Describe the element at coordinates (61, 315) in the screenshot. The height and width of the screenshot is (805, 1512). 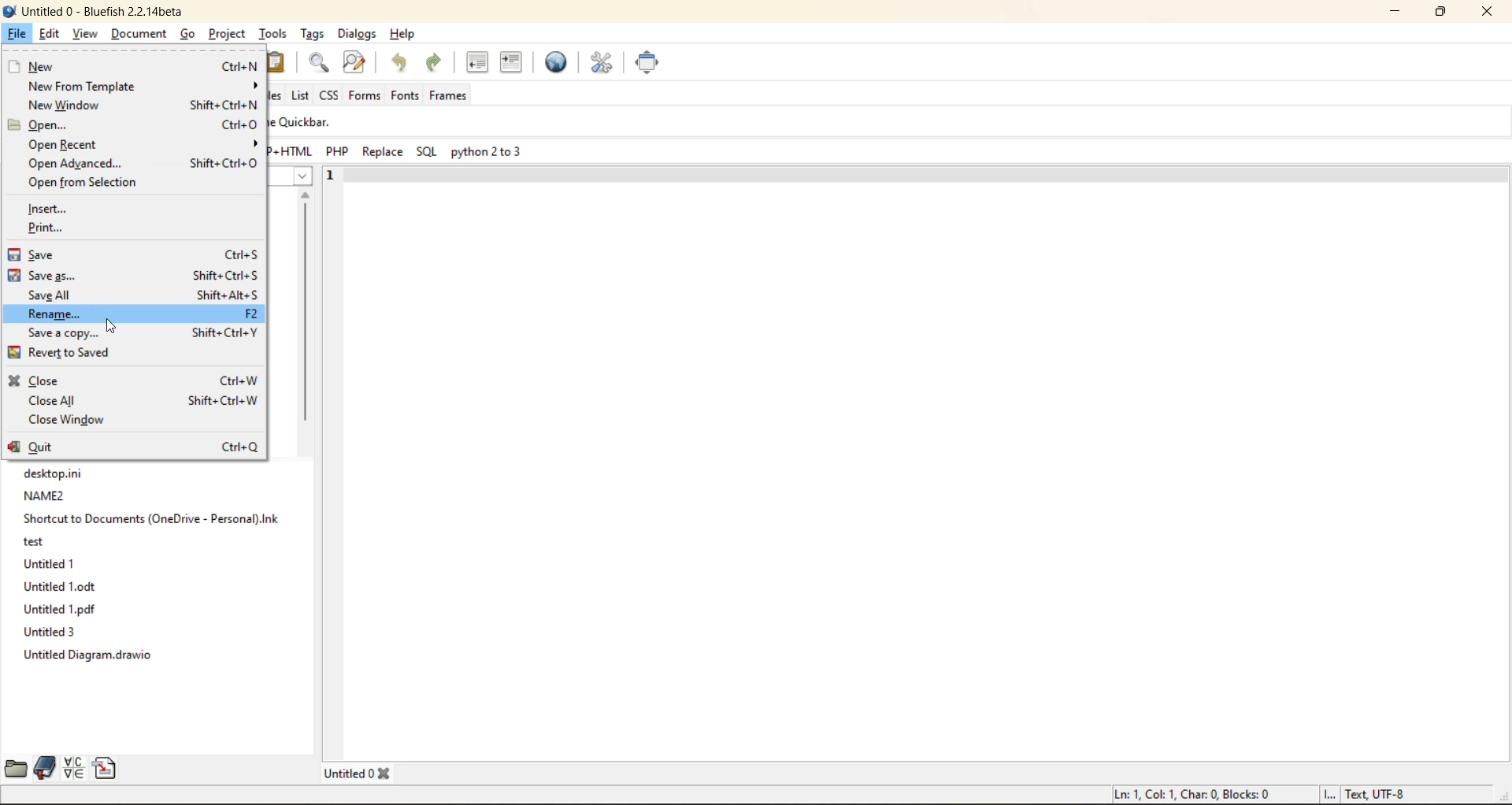
I see `rename` at that location.